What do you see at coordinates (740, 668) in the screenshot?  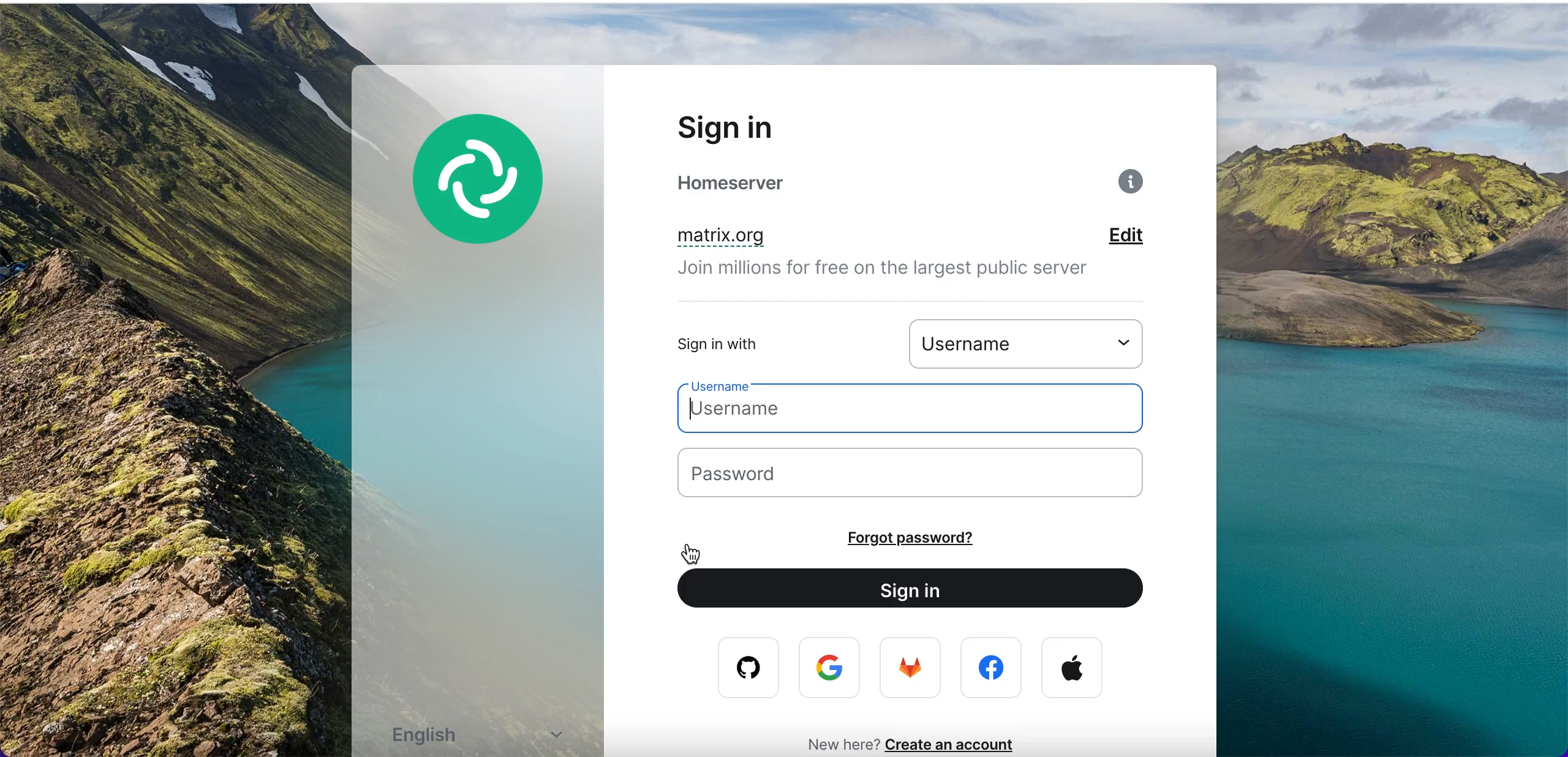 I see `github logo` at bounding box center [740, 668].